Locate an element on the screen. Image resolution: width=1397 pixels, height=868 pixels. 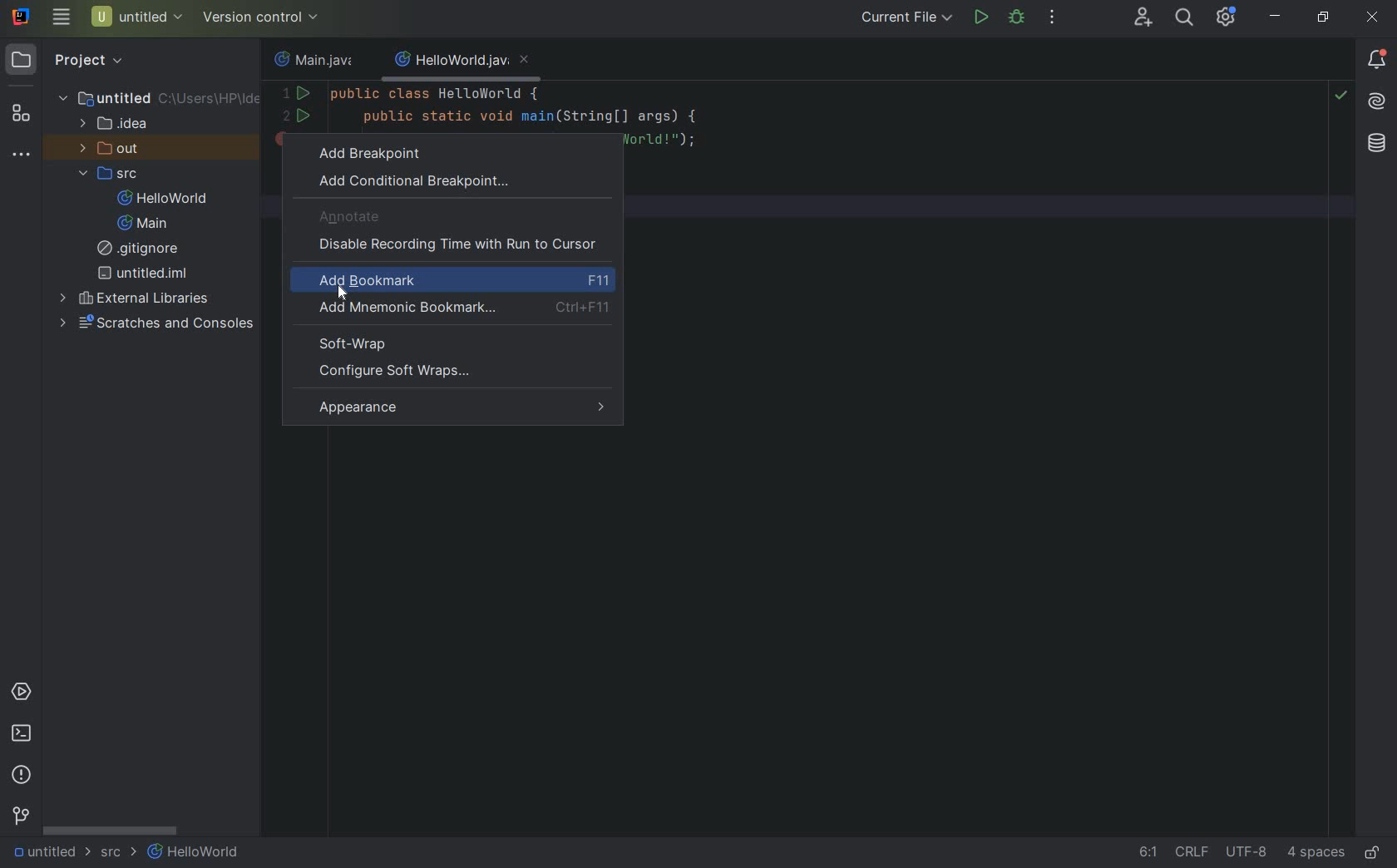
notifications is located at coordinates (1377, 60).